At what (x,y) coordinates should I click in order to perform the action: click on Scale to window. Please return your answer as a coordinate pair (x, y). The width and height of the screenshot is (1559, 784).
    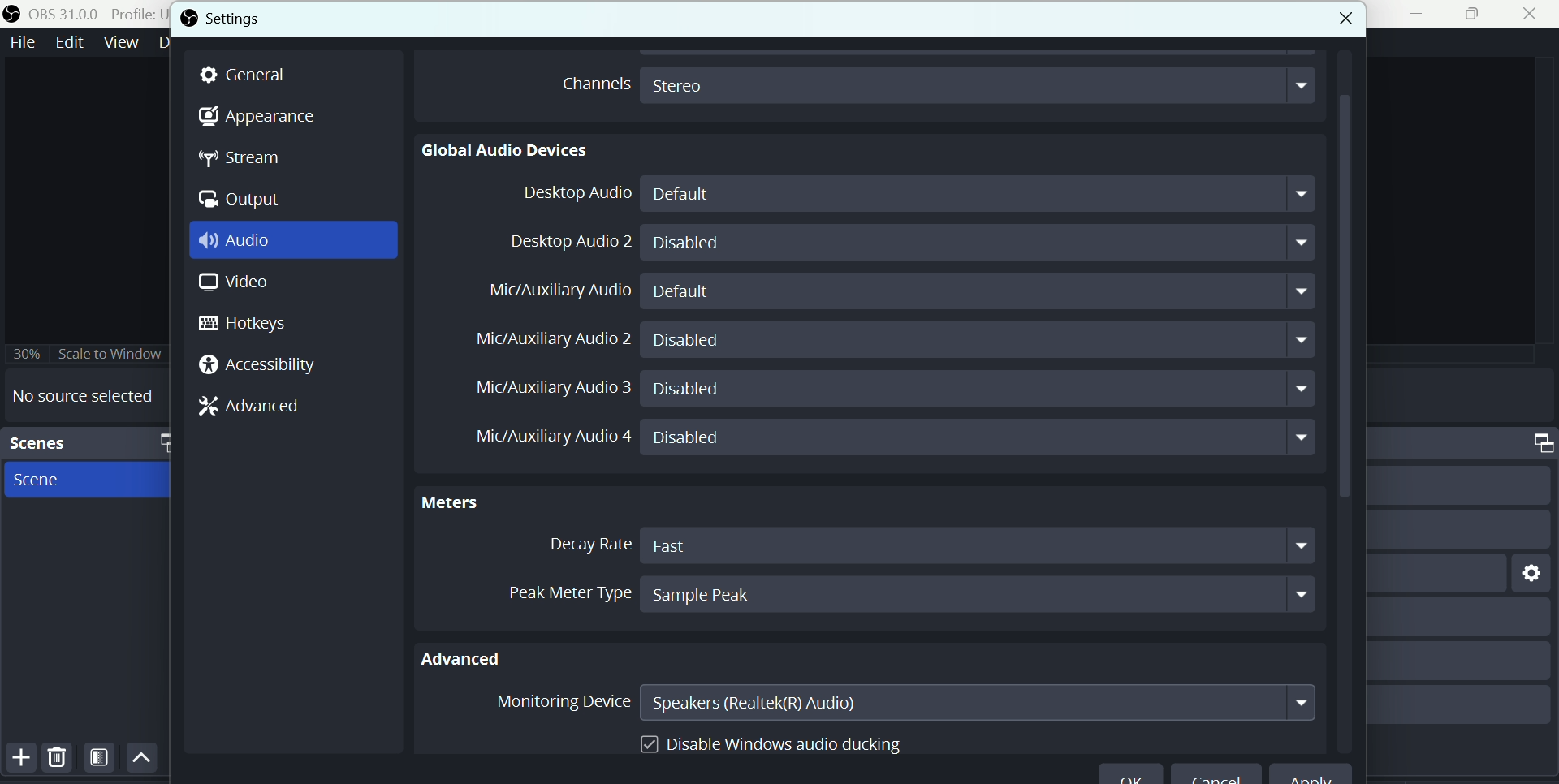
    Looking at the image, I should click on (113, 353).